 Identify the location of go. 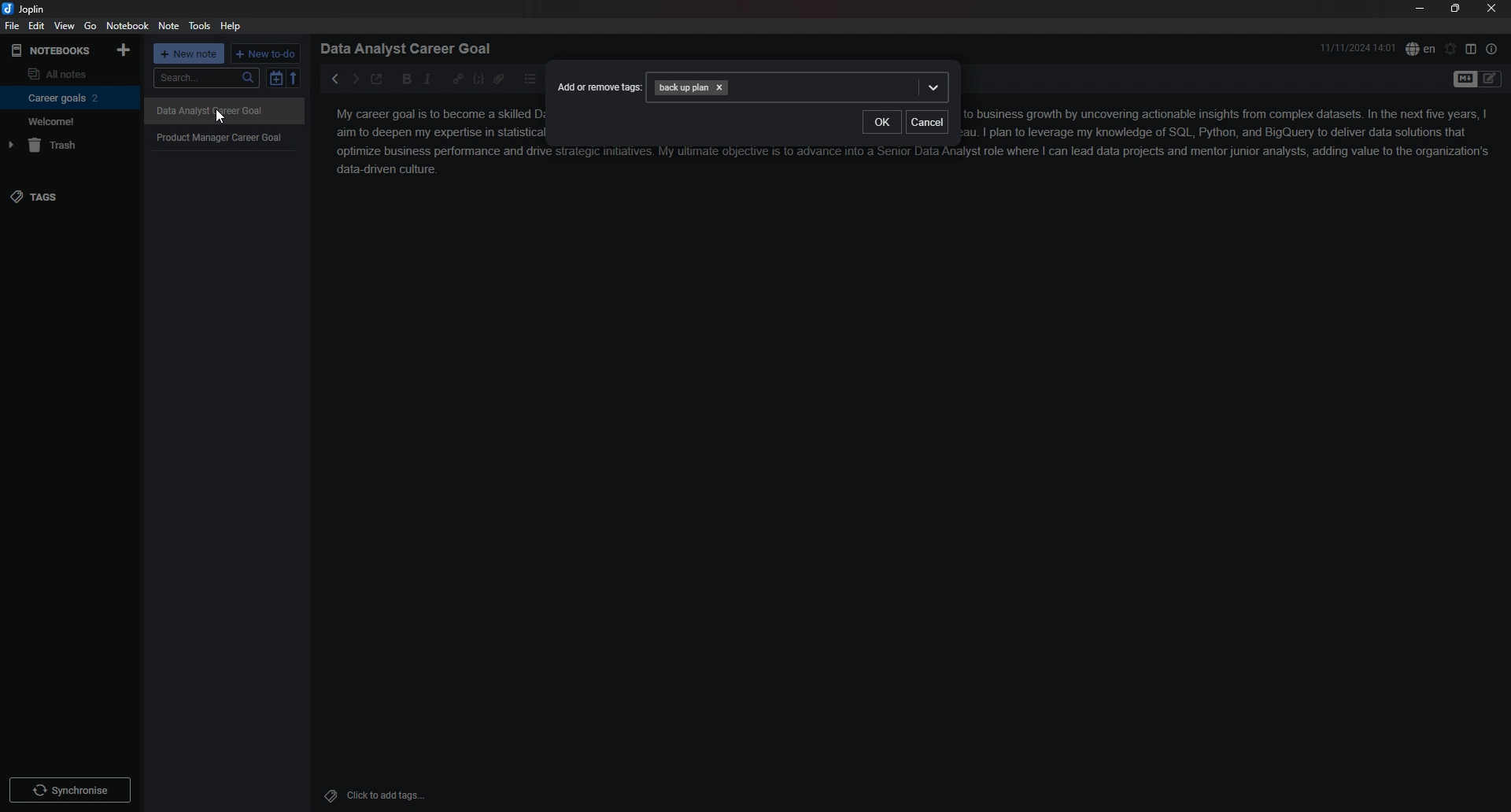
(91, 26).